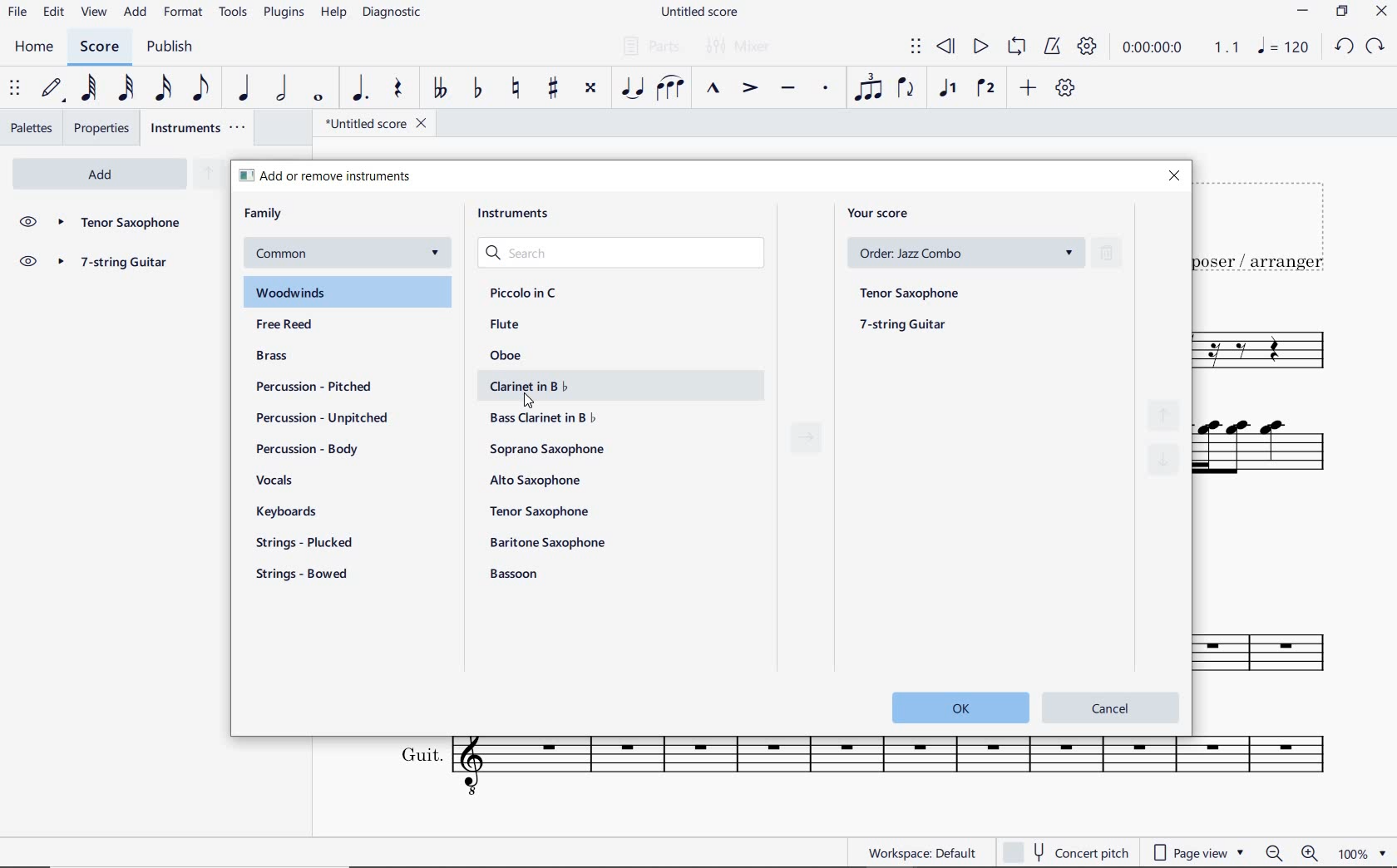 Image resolution: width=1397 pixels, height=868 pixels. What do you see at coordinates (128, 88) in the screenshot?
I see `32ND NOTE` at bounding box center [128, 88].